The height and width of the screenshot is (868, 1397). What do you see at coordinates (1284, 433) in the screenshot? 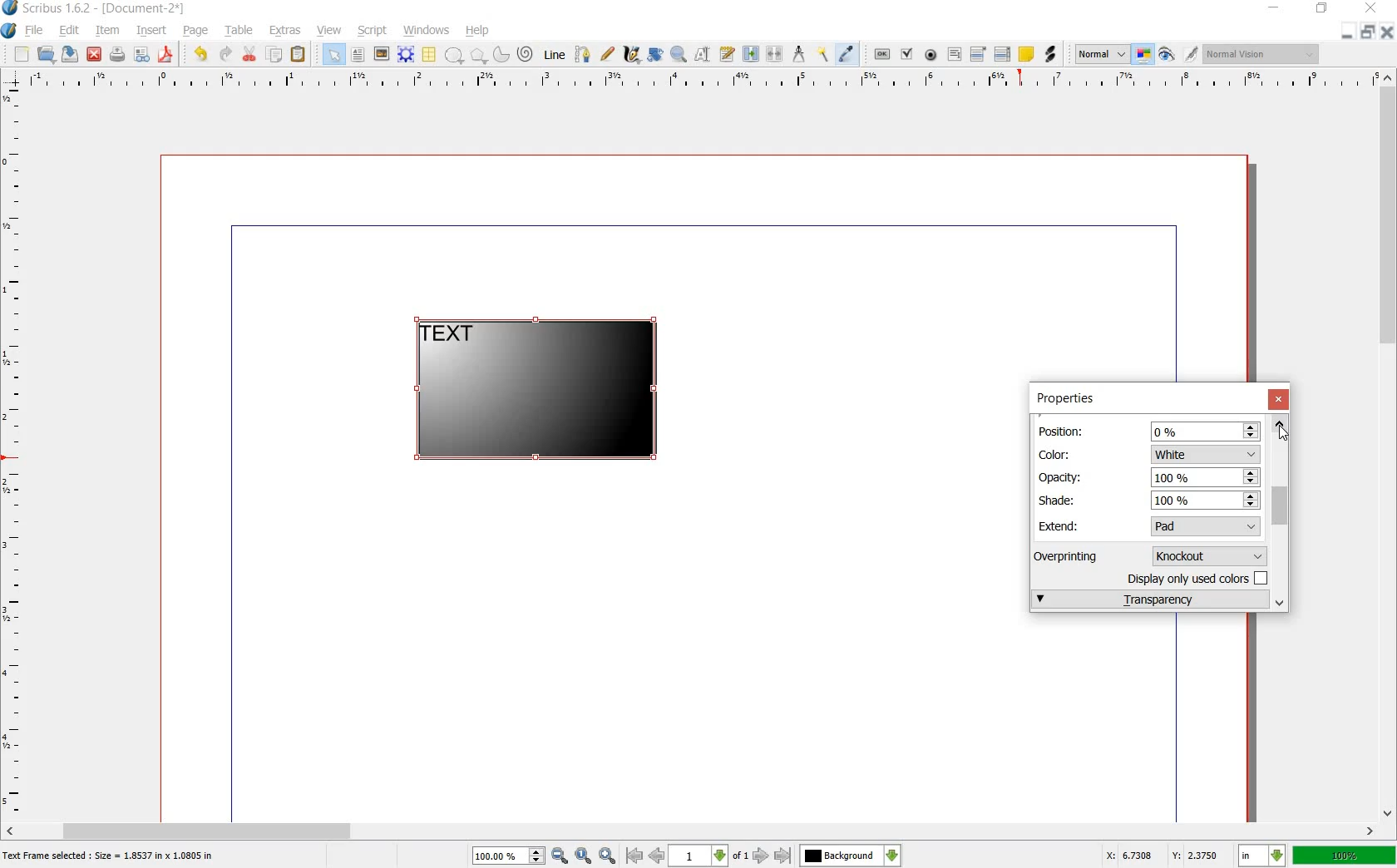
I see `cursor` at bounding box center [1284, 433].